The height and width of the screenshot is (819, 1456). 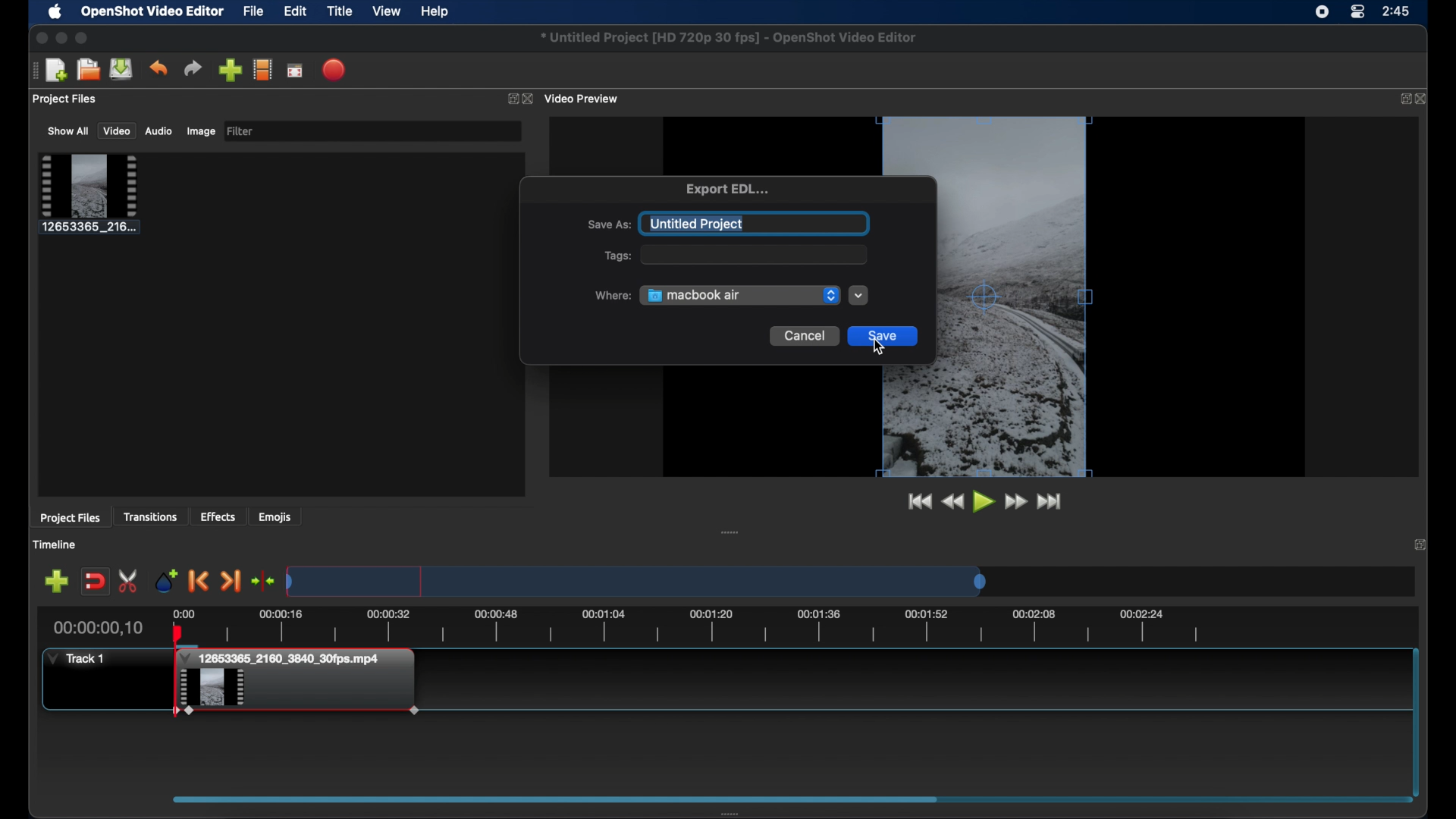 What do you see at coordinates (55, 12) in the screenshot?
I see `apple icon` at bounding box center [55, 12].